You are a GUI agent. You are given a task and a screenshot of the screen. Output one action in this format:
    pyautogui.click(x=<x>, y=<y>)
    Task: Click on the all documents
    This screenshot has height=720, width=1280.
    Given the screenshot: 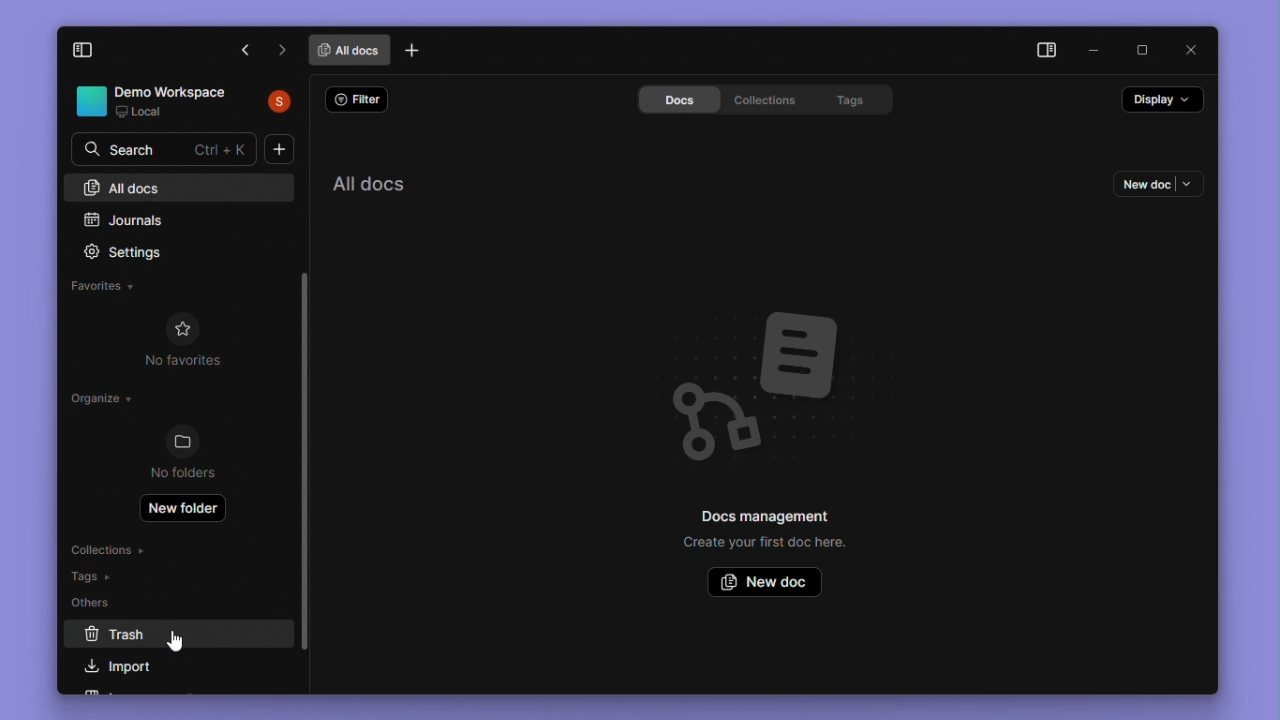 What is the action you would take?
    pyautogui.click(x=347, y=48)
    